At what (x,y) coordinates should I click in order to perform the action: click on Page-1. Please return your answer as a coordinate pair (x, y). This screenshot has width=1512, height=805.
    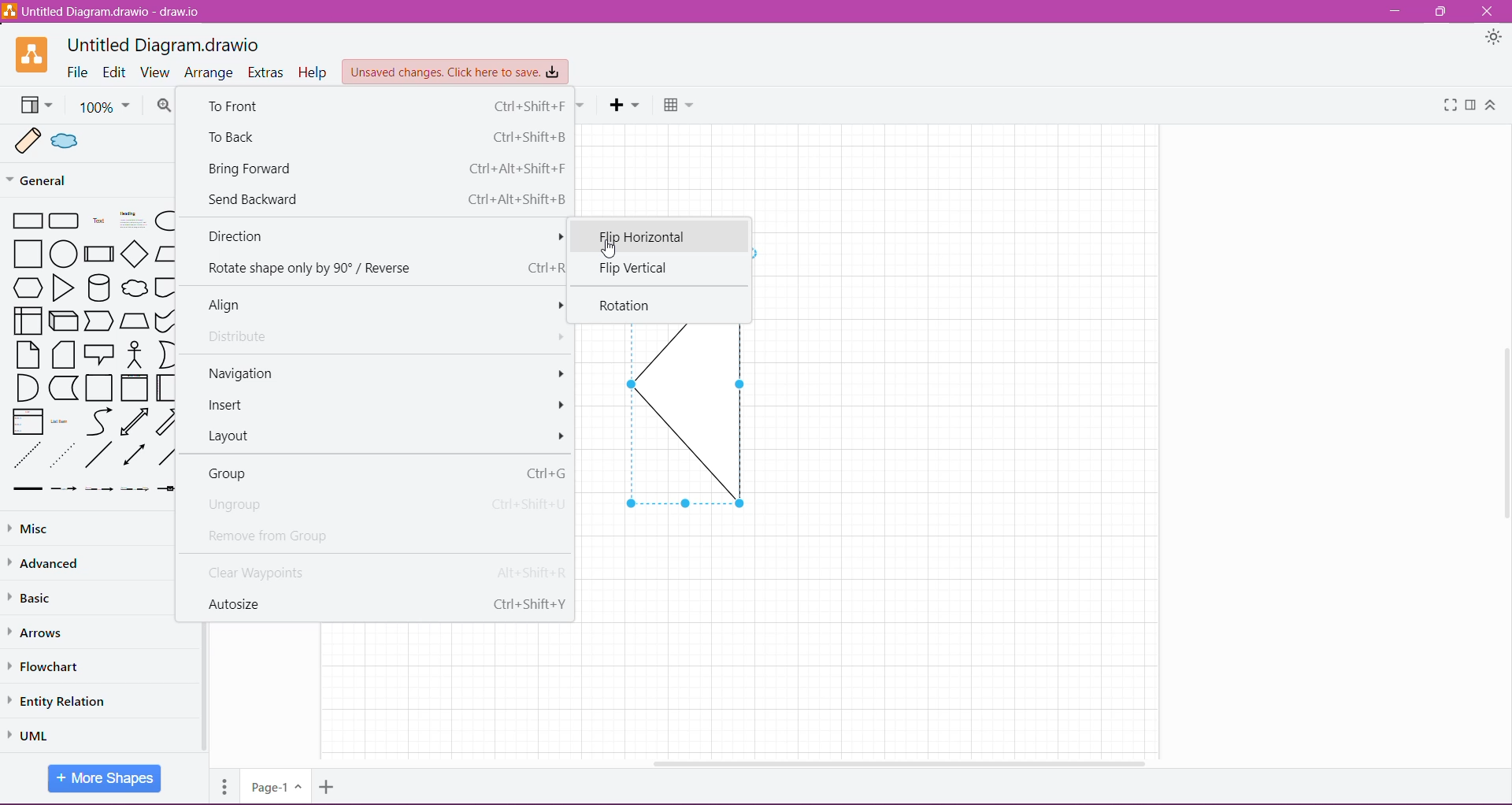
    Looking at the image, I should click on (276, 786).